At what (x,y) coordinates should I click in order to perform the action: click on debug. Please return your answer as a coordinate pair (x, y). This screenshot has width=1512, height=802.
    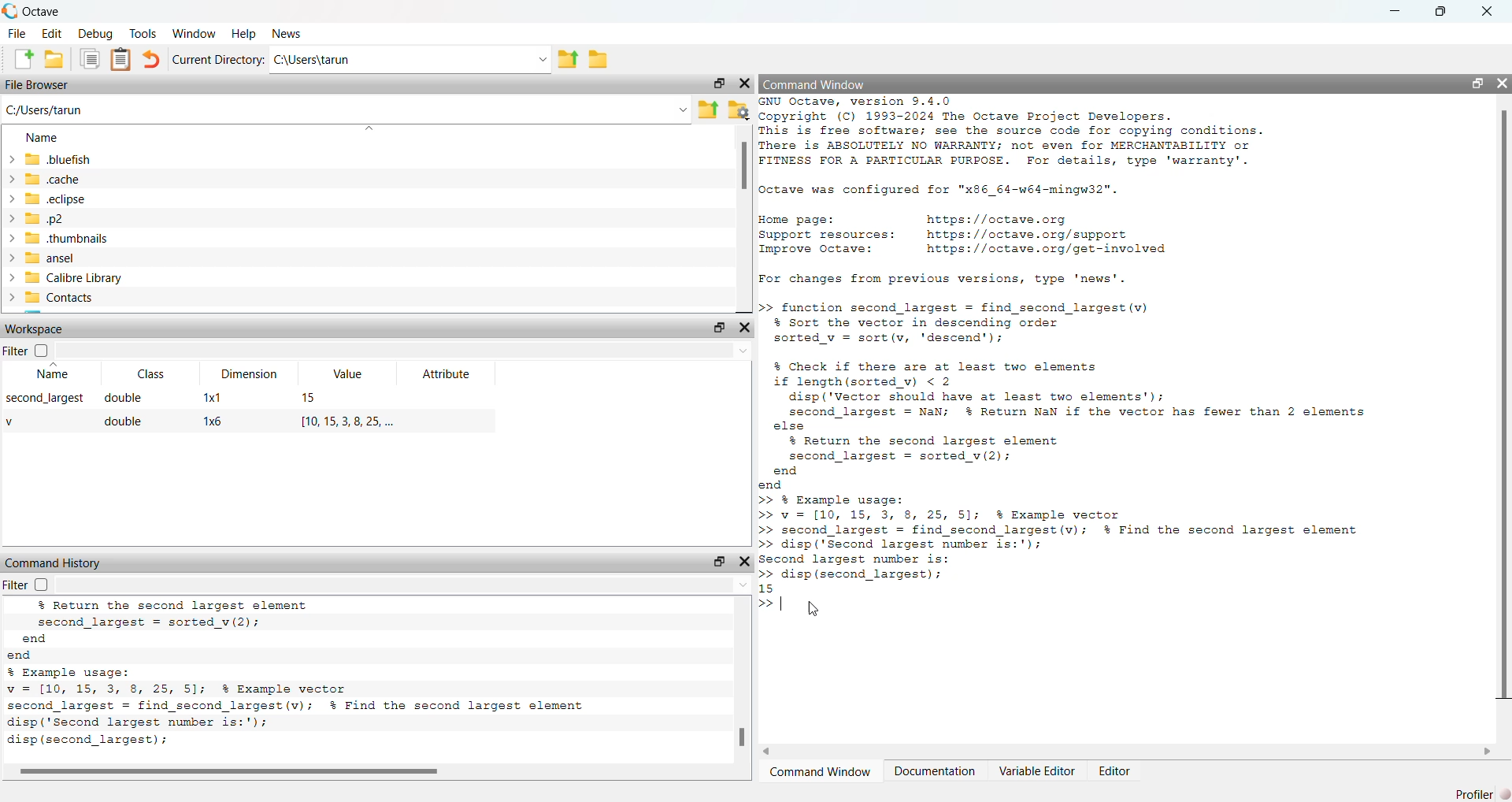
    Looking at the image, I should click on (94, 35).